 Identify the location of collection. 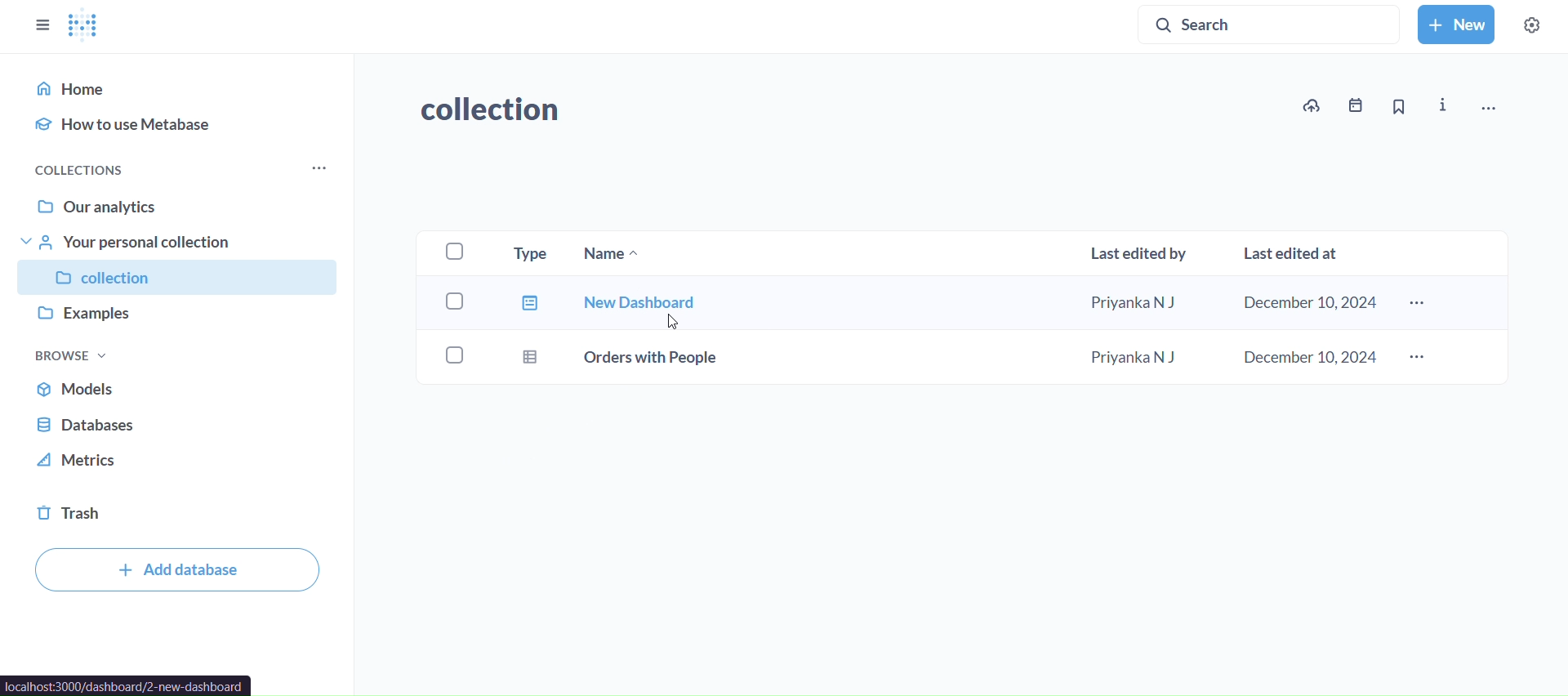
(181, 278).